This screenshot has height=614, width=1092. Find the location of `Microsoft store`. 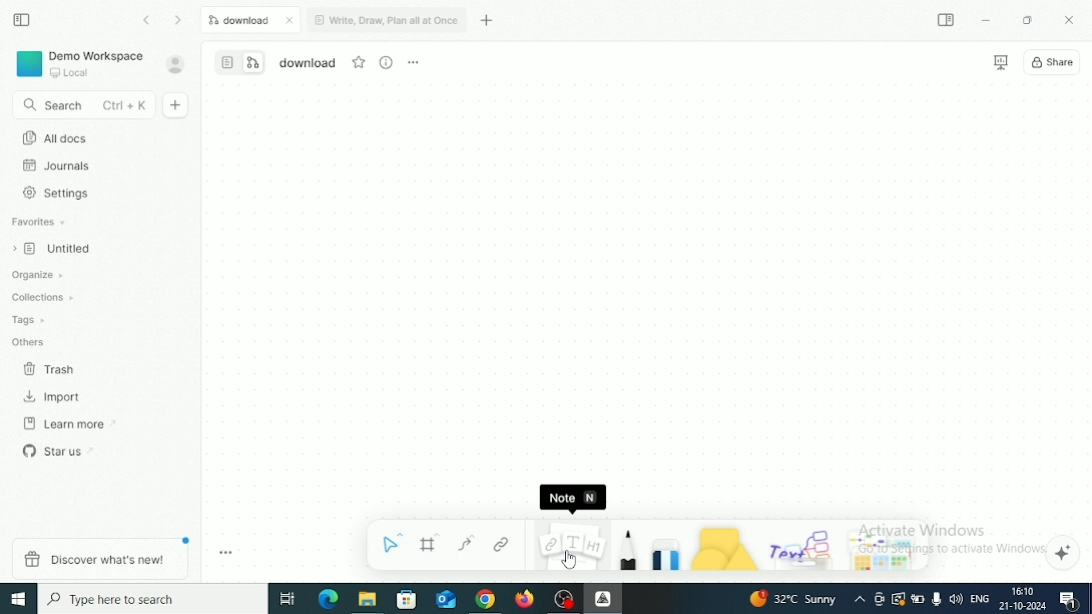

Microsoft store is located at coordinates (407, 599).